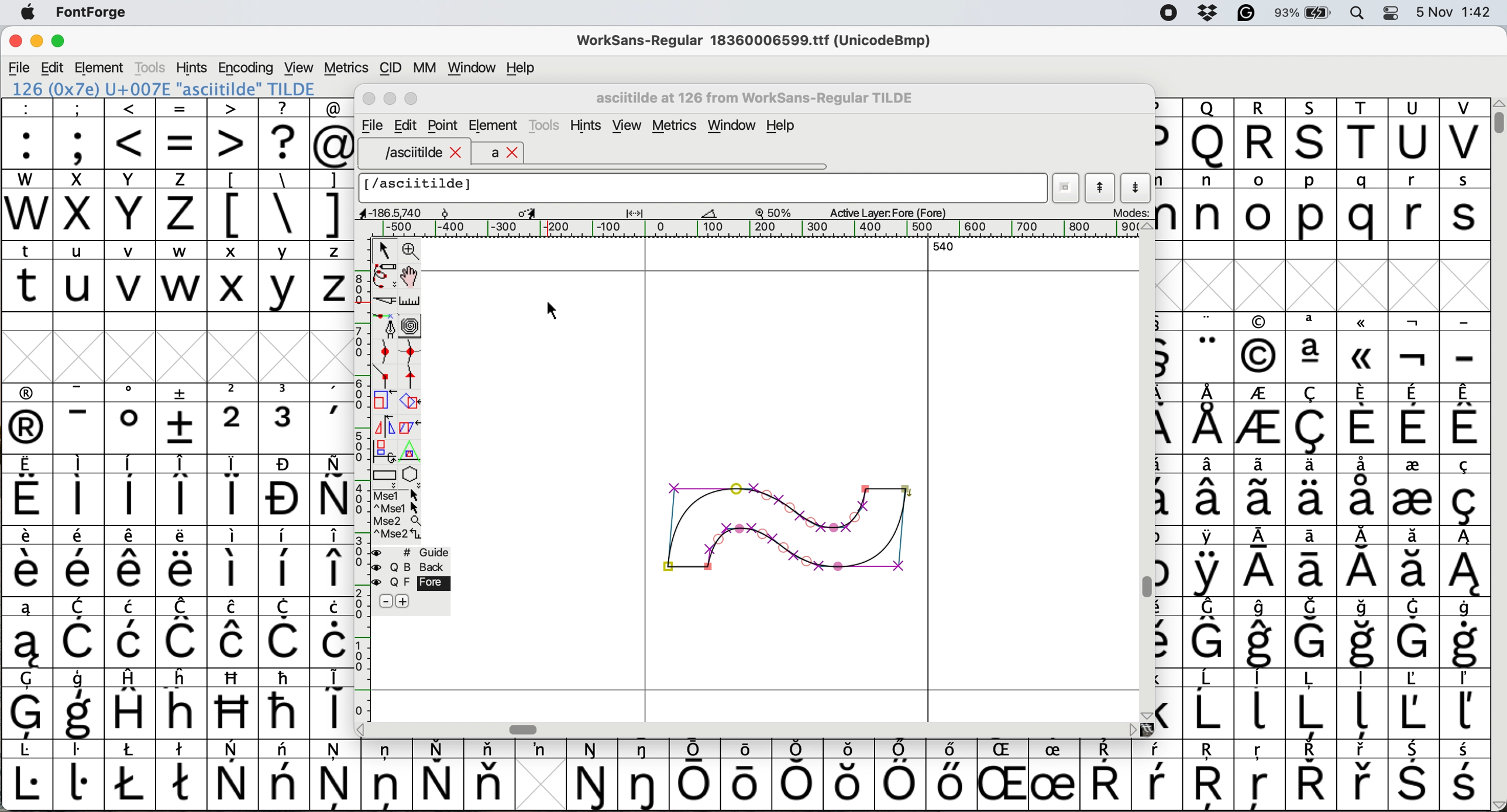 Image resolution: width=1507 pixels, height=812 pixels. I want to click on metrics, so click(346, 68).